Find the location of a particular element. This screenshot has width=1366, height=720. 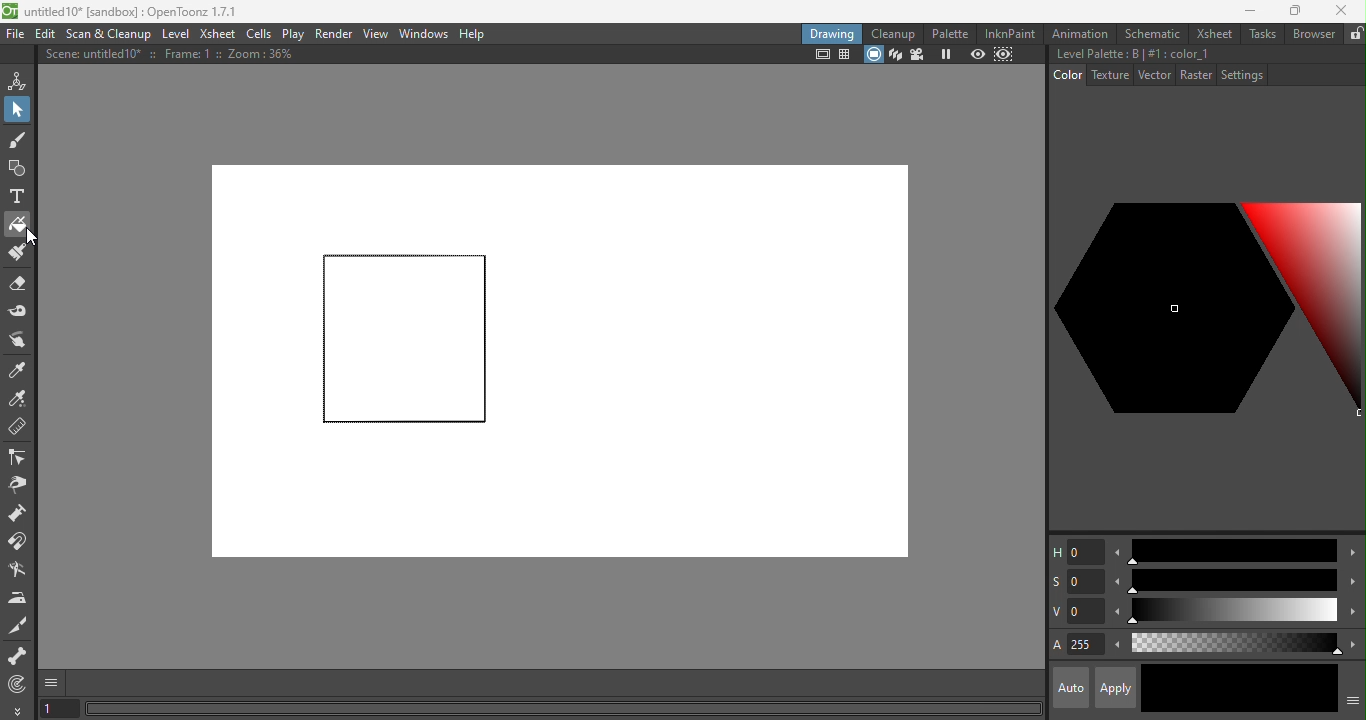

V is located at coordinates (1076, 611).